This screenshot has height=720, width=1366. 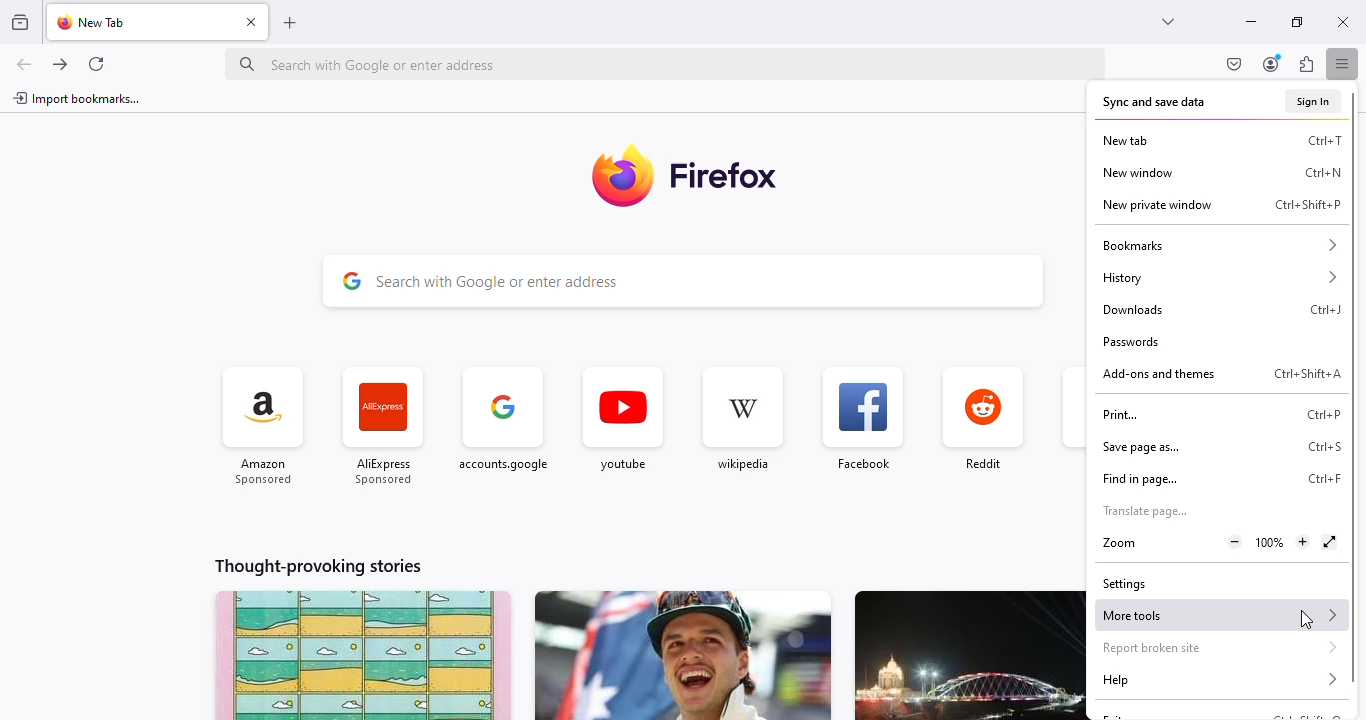 What do you see at coordinates (264, 427) in the screenshot?
I see `amazon` at bounding box center [264, 427].